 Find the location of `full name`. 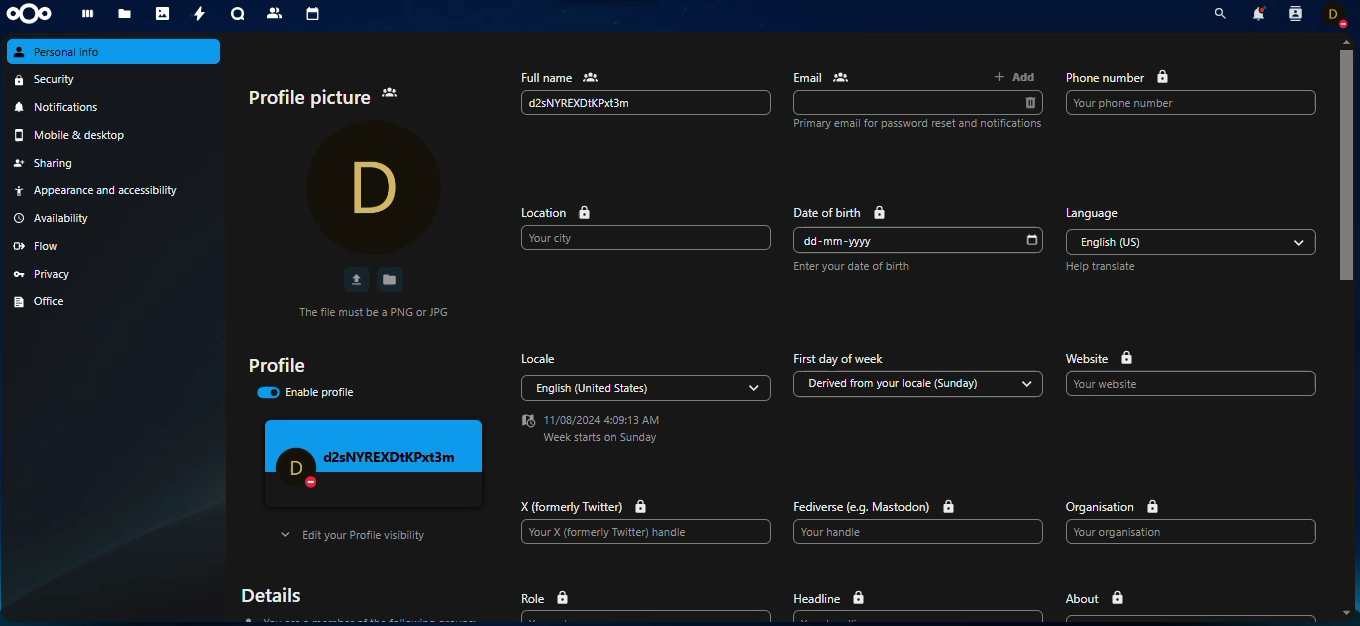

full name is located at coordinates (561, 78).